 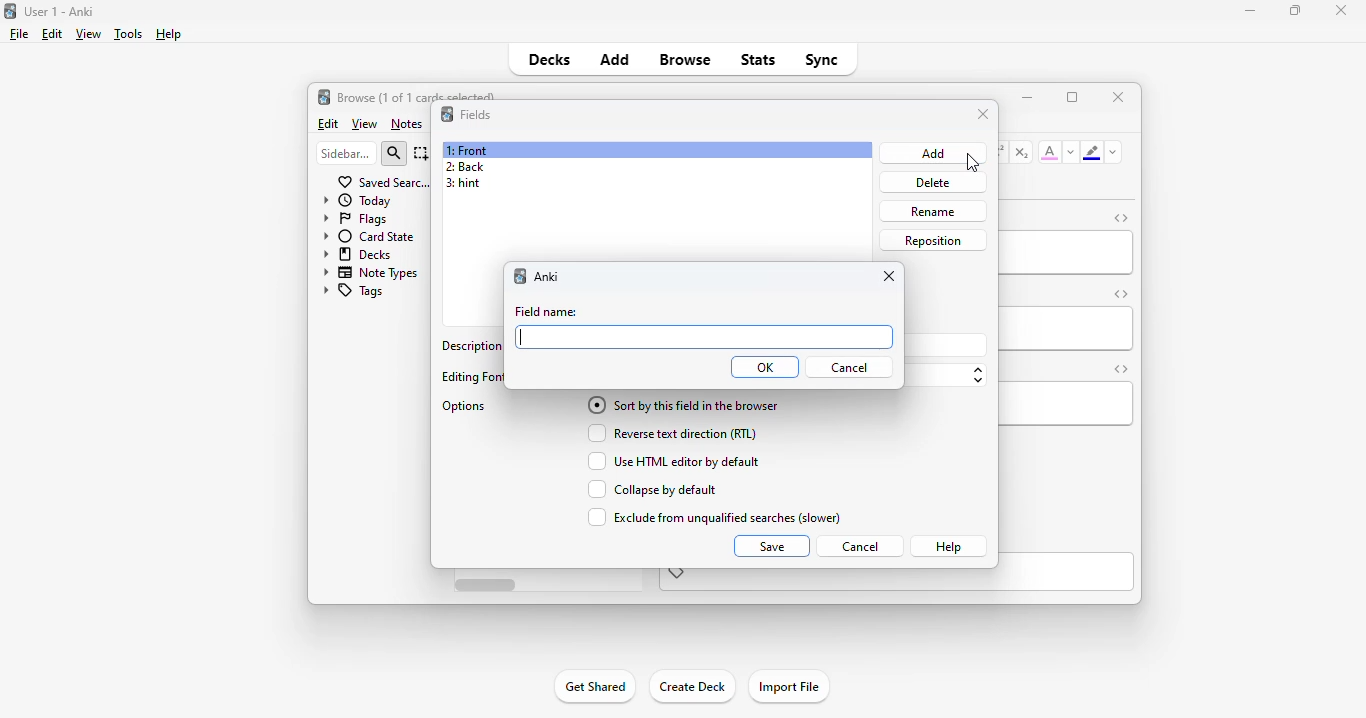 I want to click on note types, so click(x=371, y=272).